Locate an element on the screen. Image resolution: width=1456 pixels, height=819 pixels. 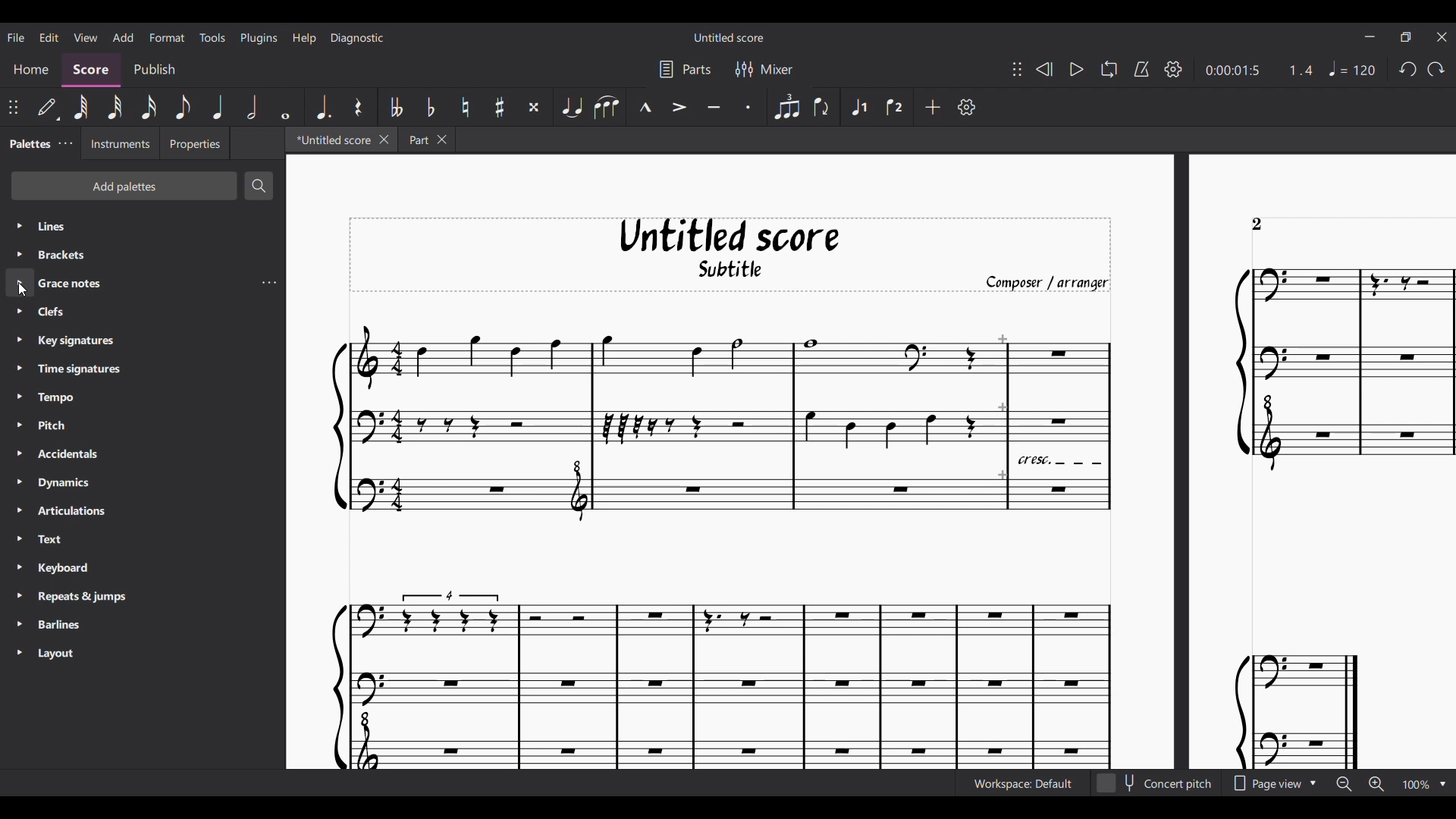
Play is located at coordinates (1077, 69).